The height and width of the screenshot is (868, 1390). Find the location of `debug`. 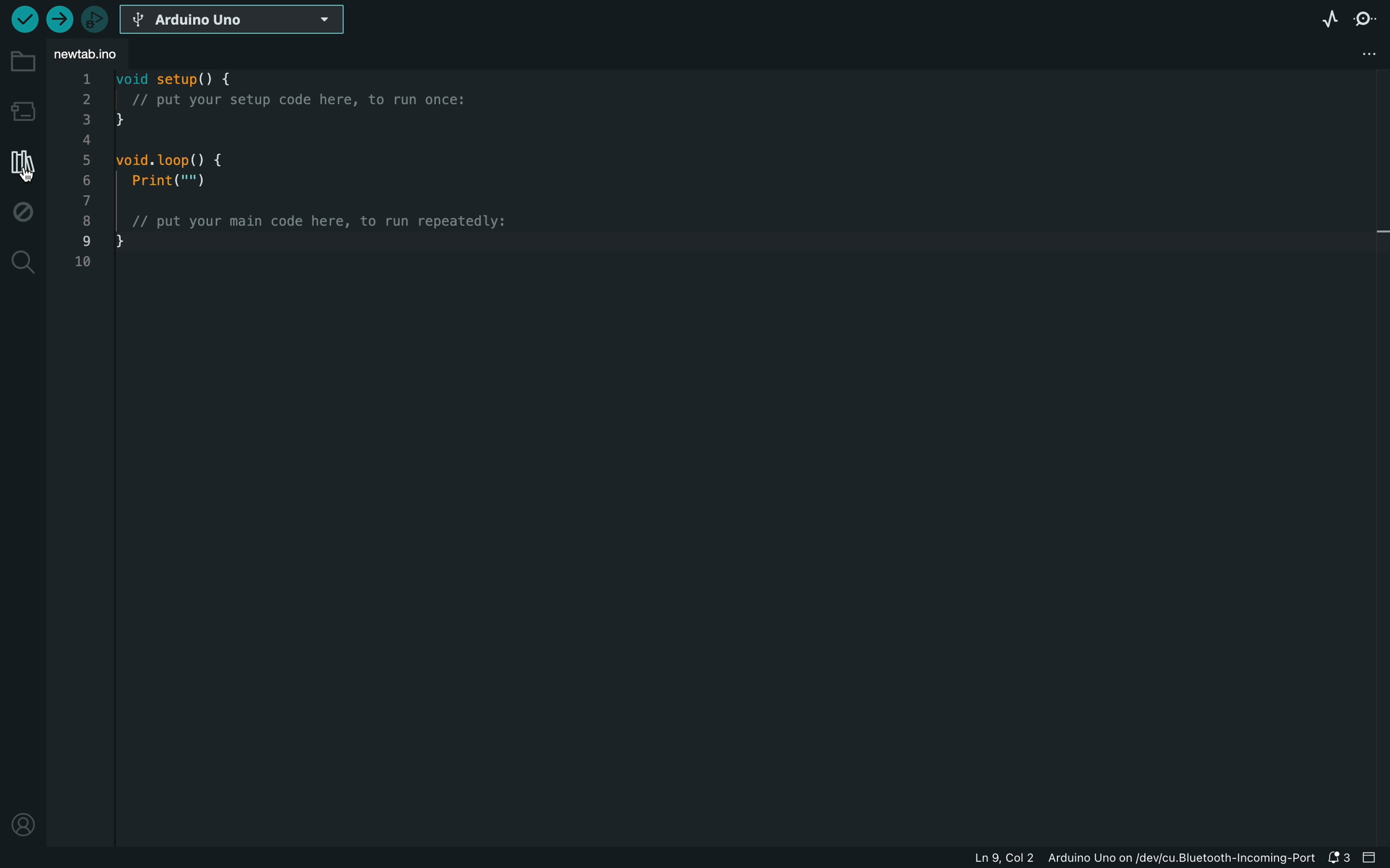

debug is located at coordinates (24, 214).